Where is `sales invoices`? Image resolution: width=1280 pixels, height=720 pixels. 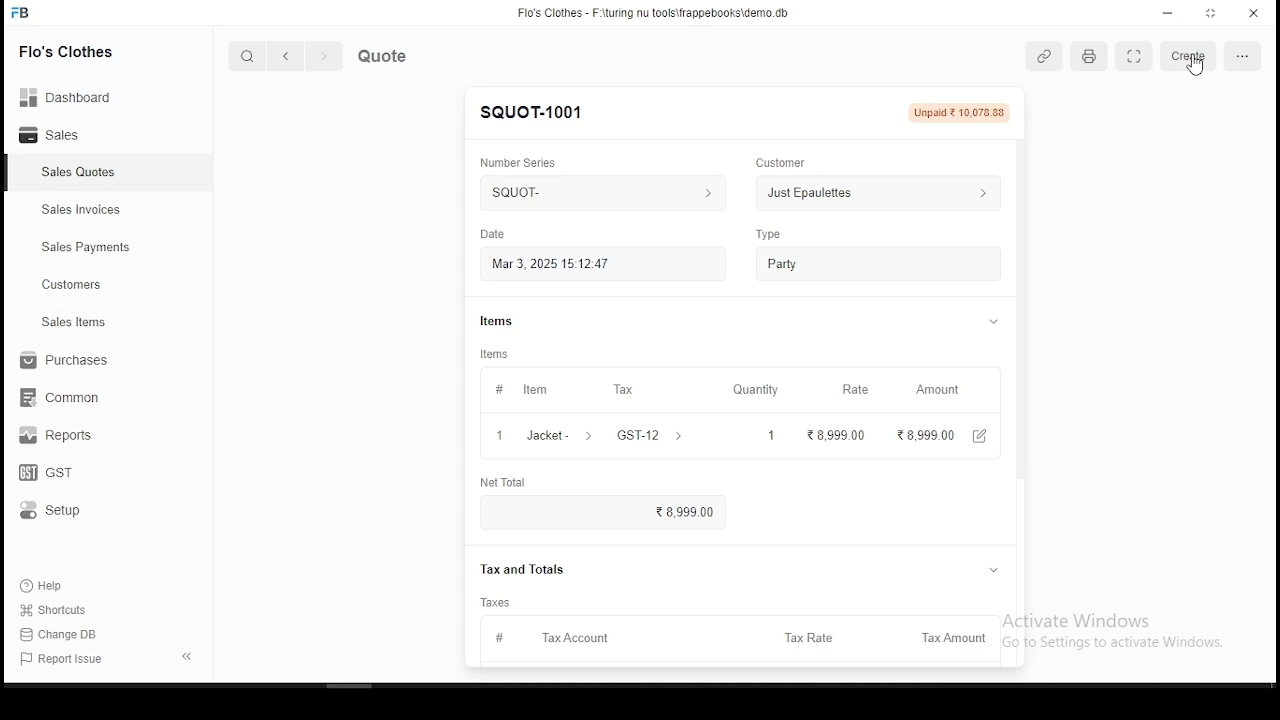 sales invoices is located at coordinates (86, 211).